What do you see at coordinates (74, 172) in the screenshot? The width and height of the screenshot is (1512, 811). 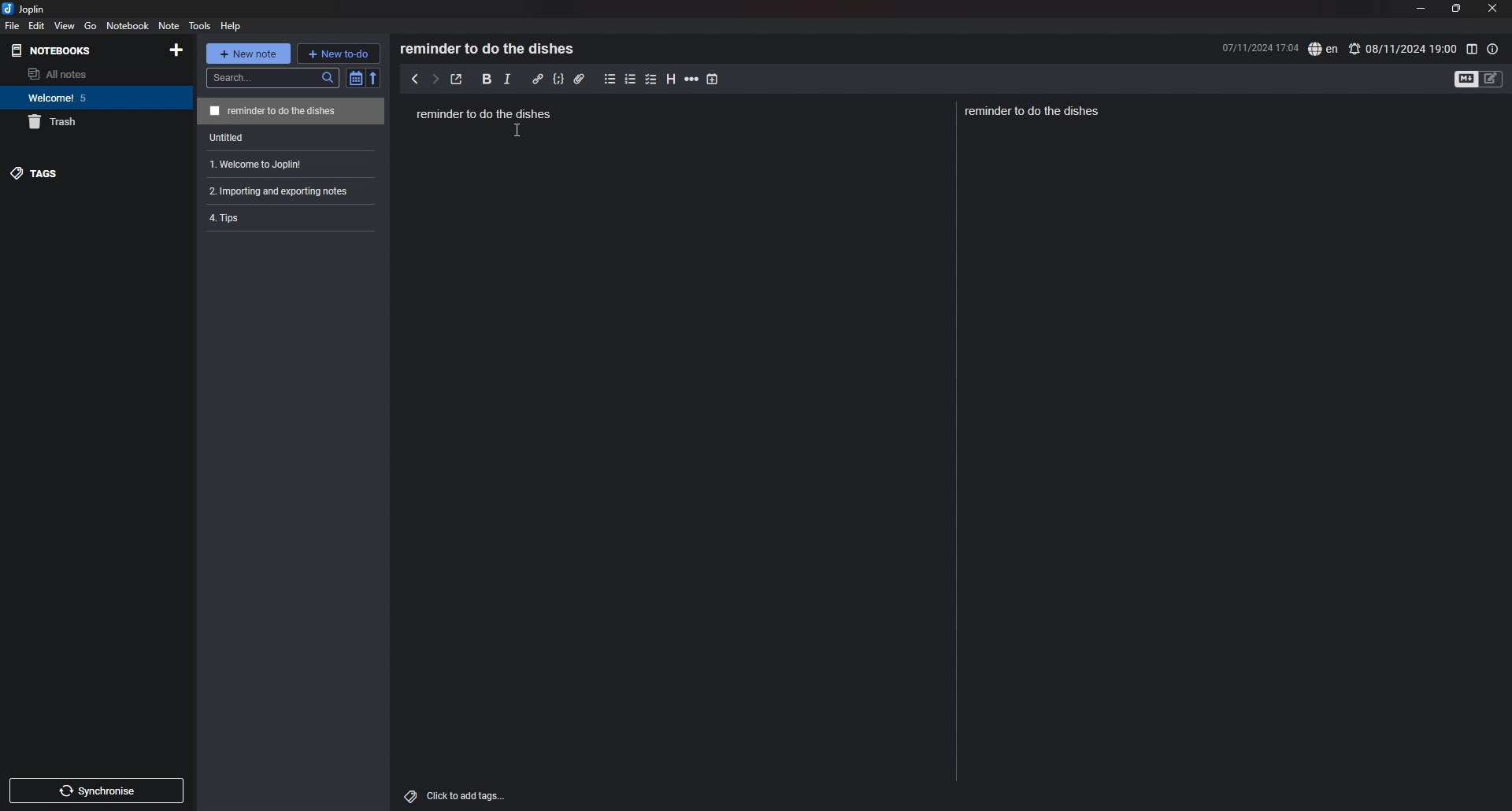 I see `tags` at bounding box center [74, 172].